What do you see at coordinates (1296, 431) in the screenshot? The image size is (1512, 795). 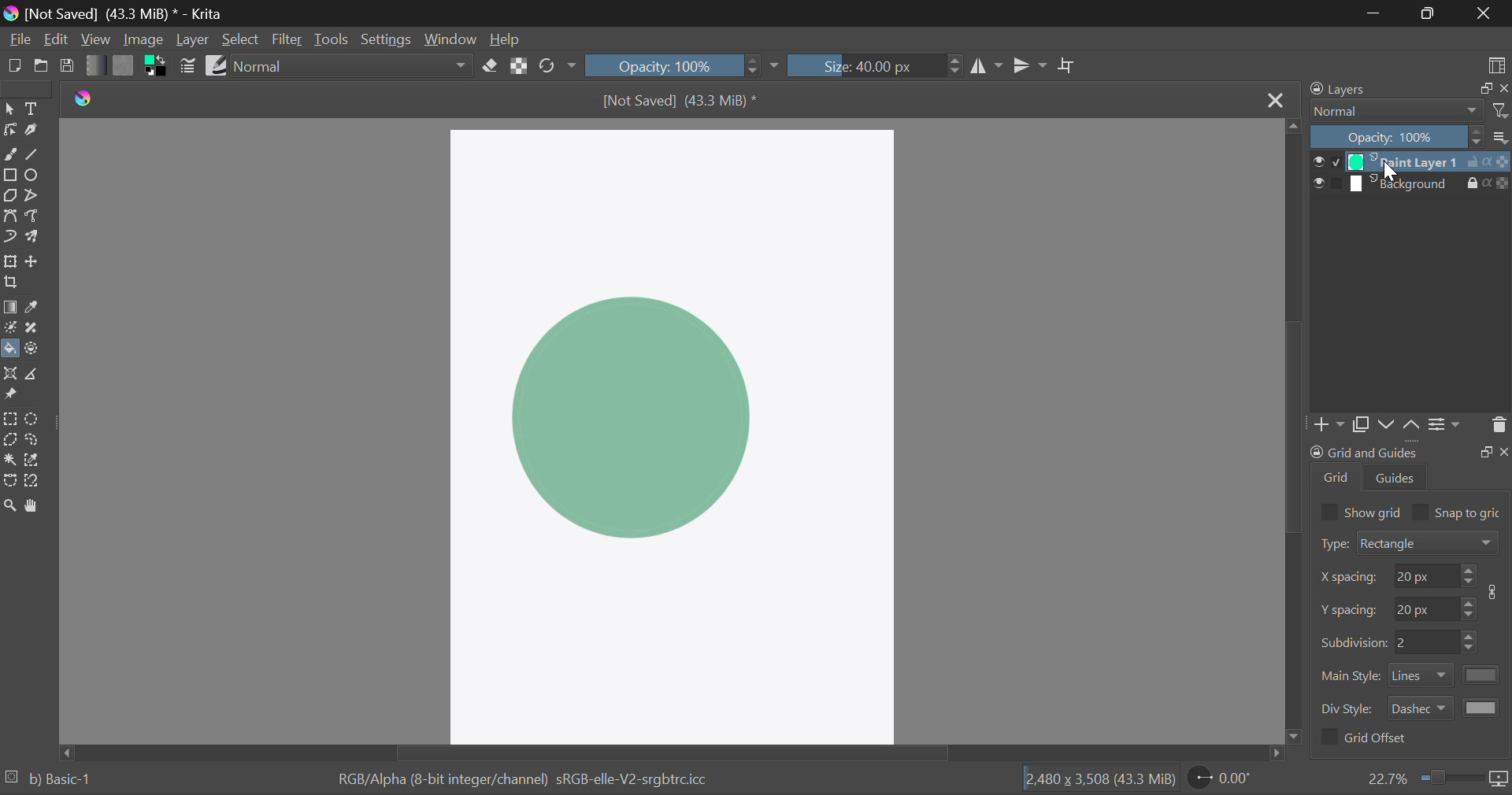 I see `Scroll Bar` at bounding box center [1296, 431].